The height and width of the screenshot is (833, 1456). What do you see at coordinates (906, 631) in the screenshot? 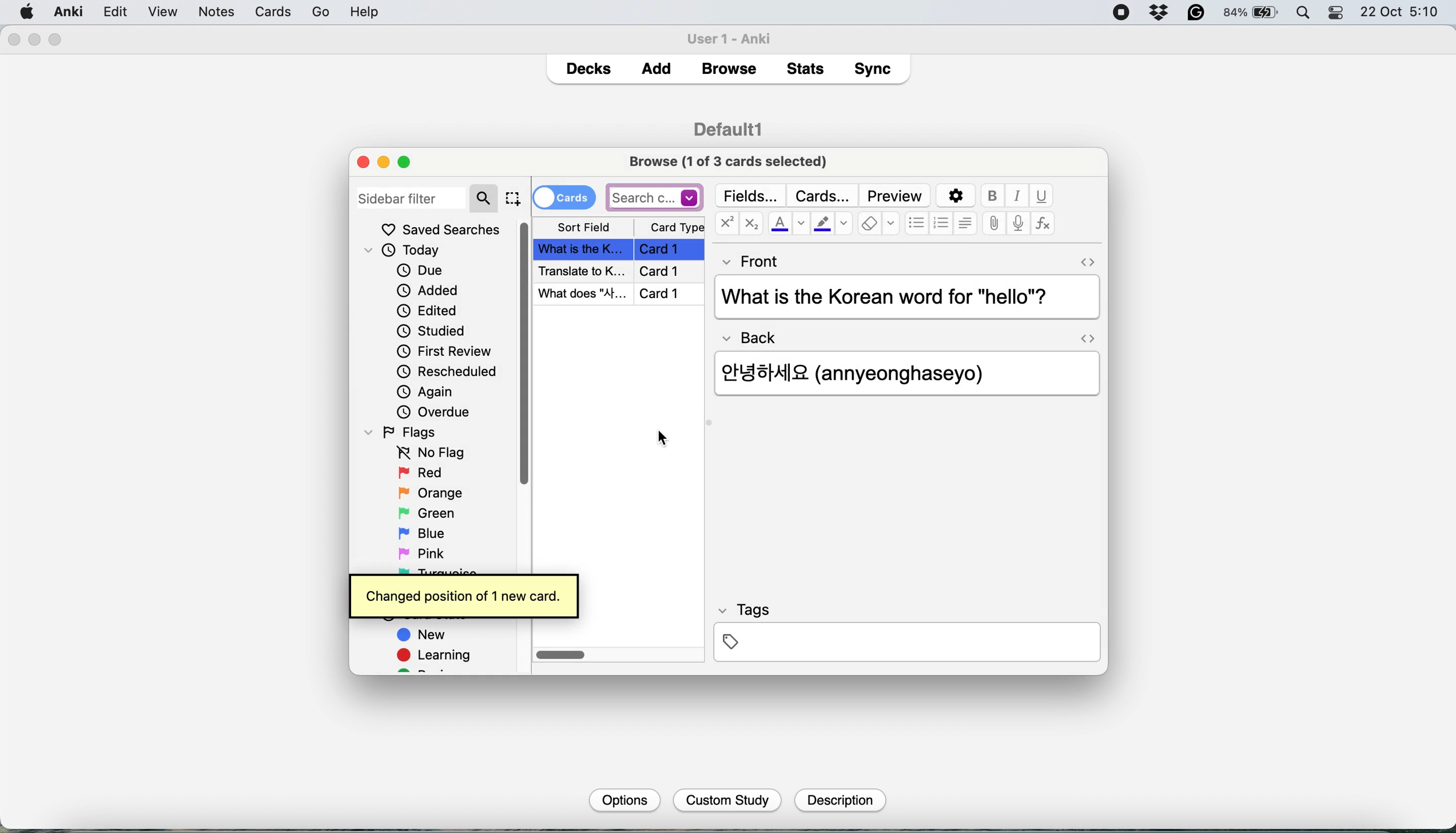
I see `tags` at bounding box center [906, 631].